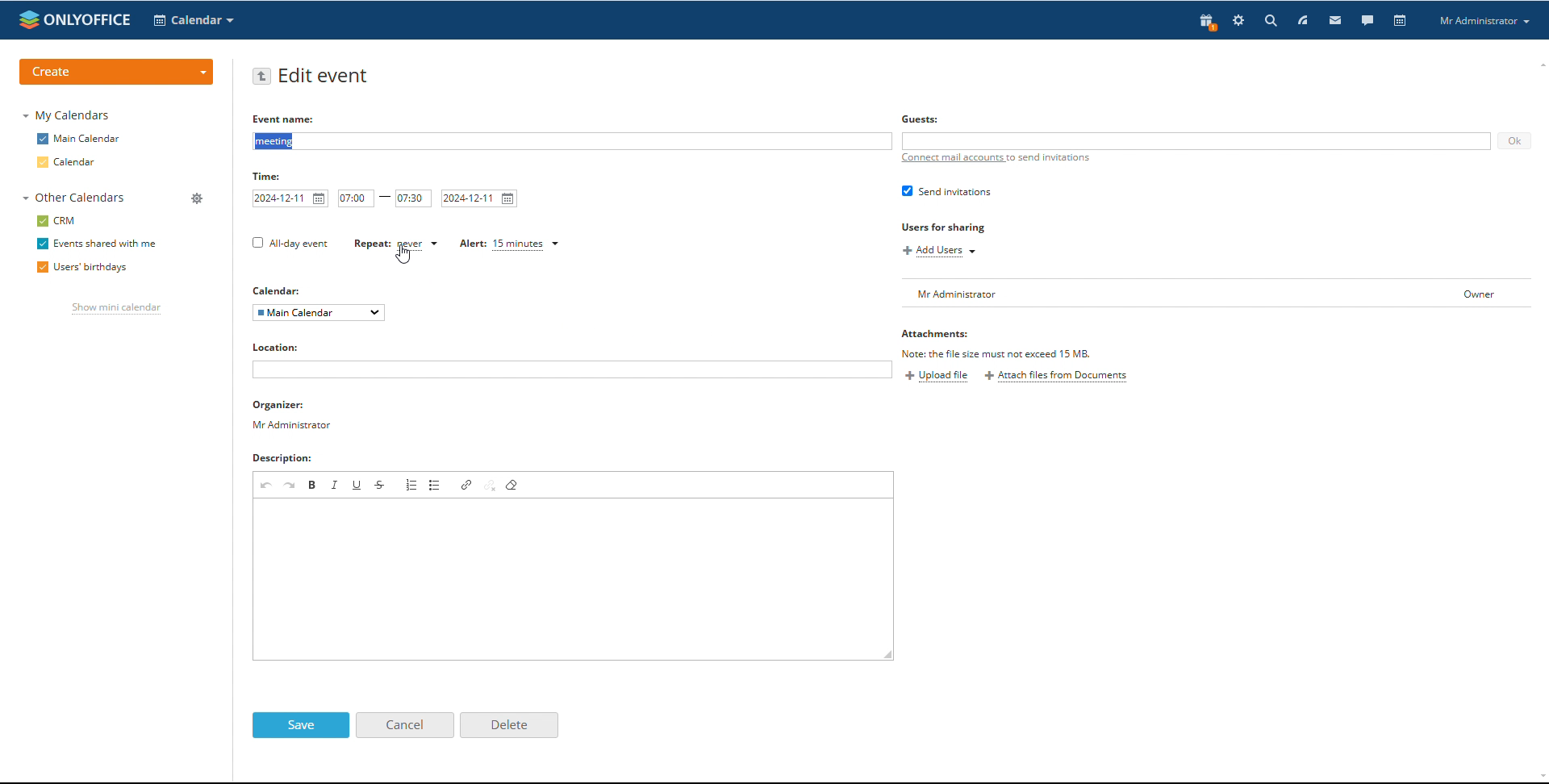 This screenshot has height=784, width=1549. I want to click on feed, so click(1303, 20).